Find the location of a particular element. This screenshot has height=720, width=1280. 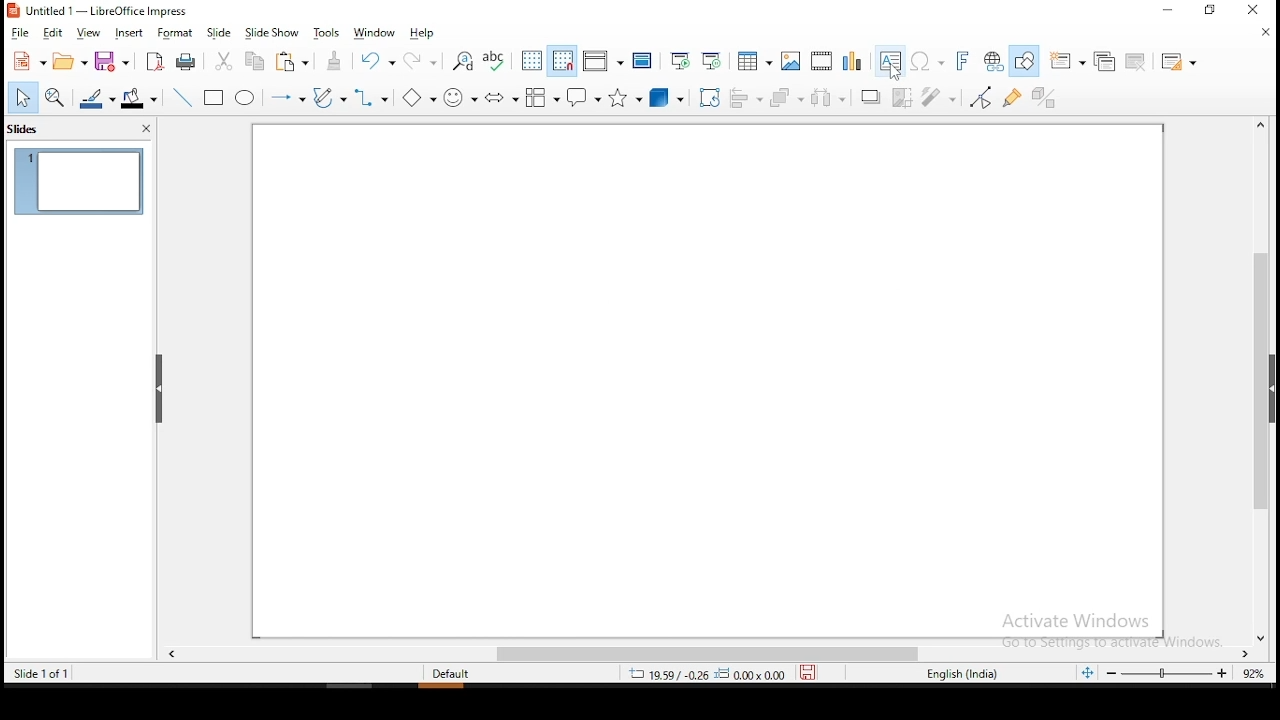

redo is located at coordinates (425, 59).